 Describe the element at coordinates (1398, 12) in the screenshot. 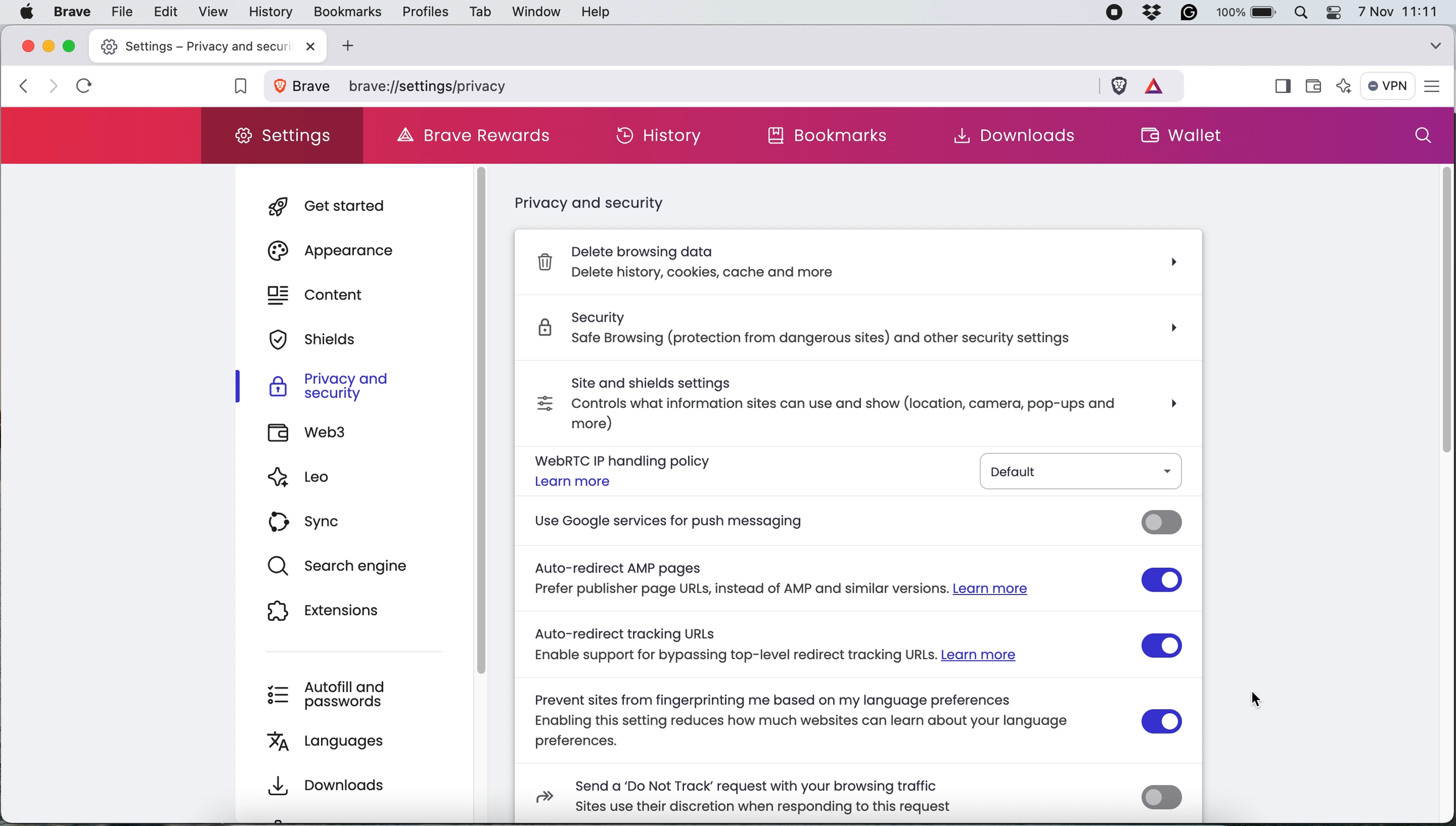

I see `7 nov 11:11` at that location.